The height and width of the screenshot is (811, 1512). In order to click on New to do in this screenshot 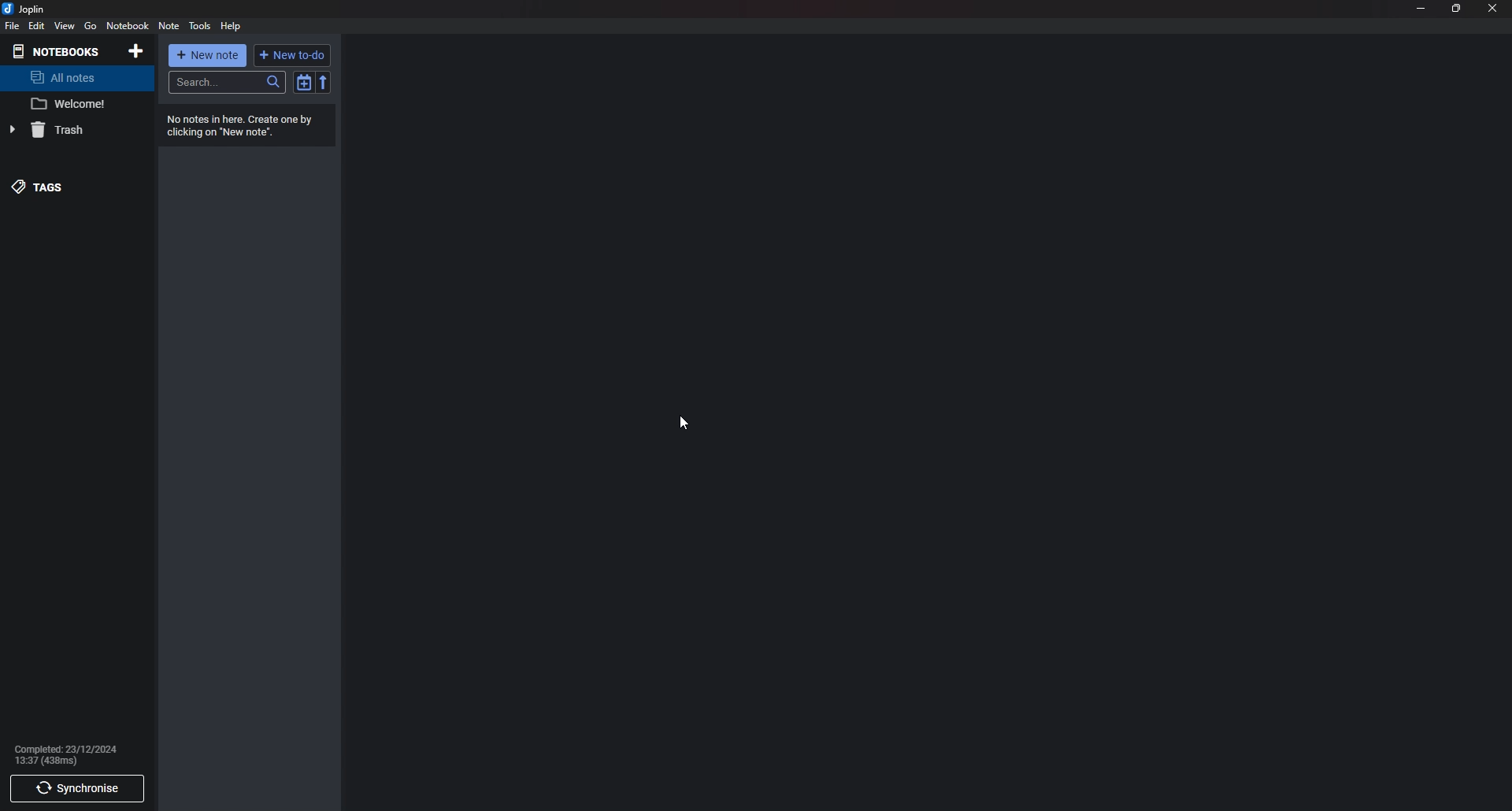, I will do `click(290, 55)`.